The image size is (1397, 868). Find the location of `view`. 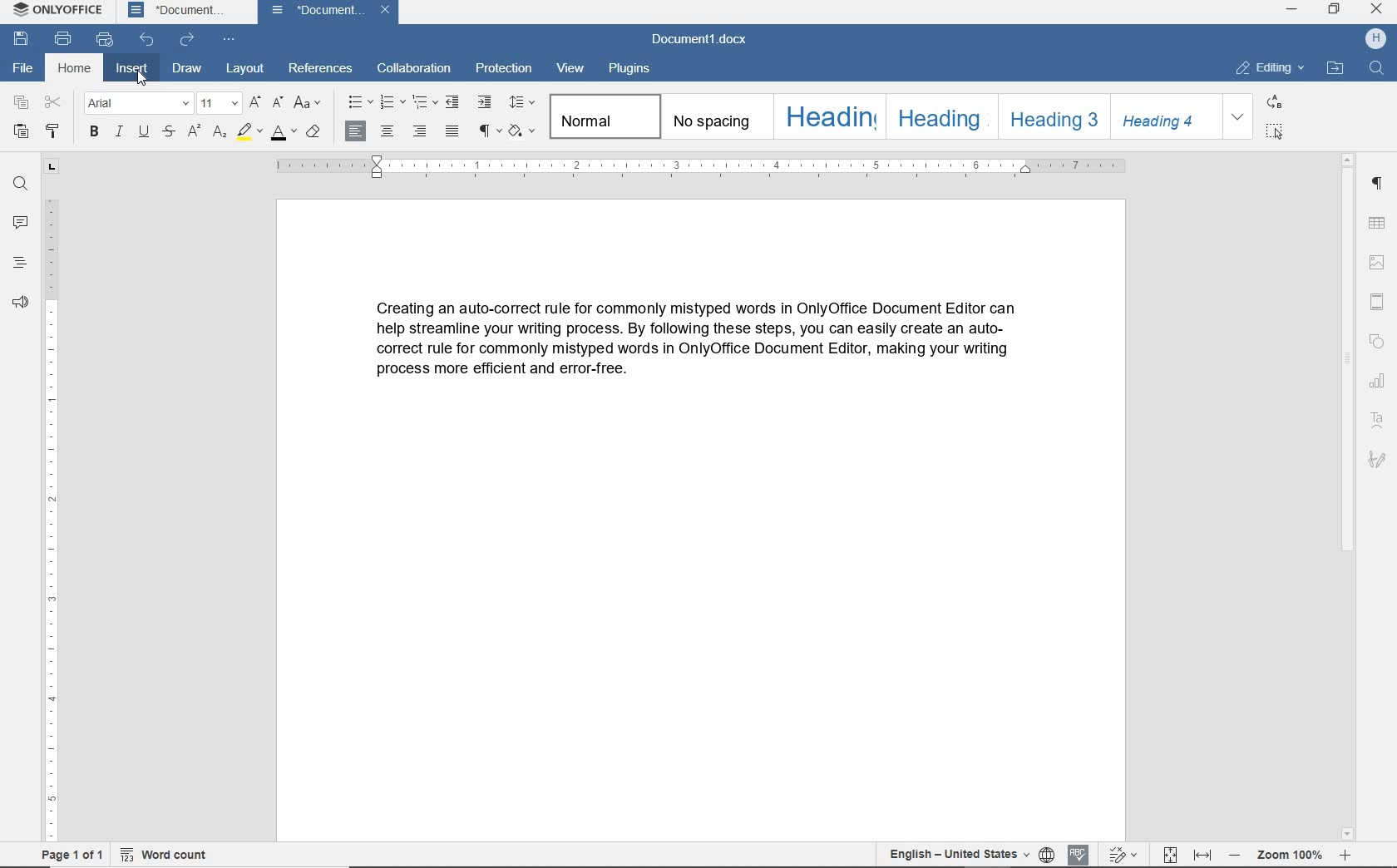

view is located at coordinates (571, 70).